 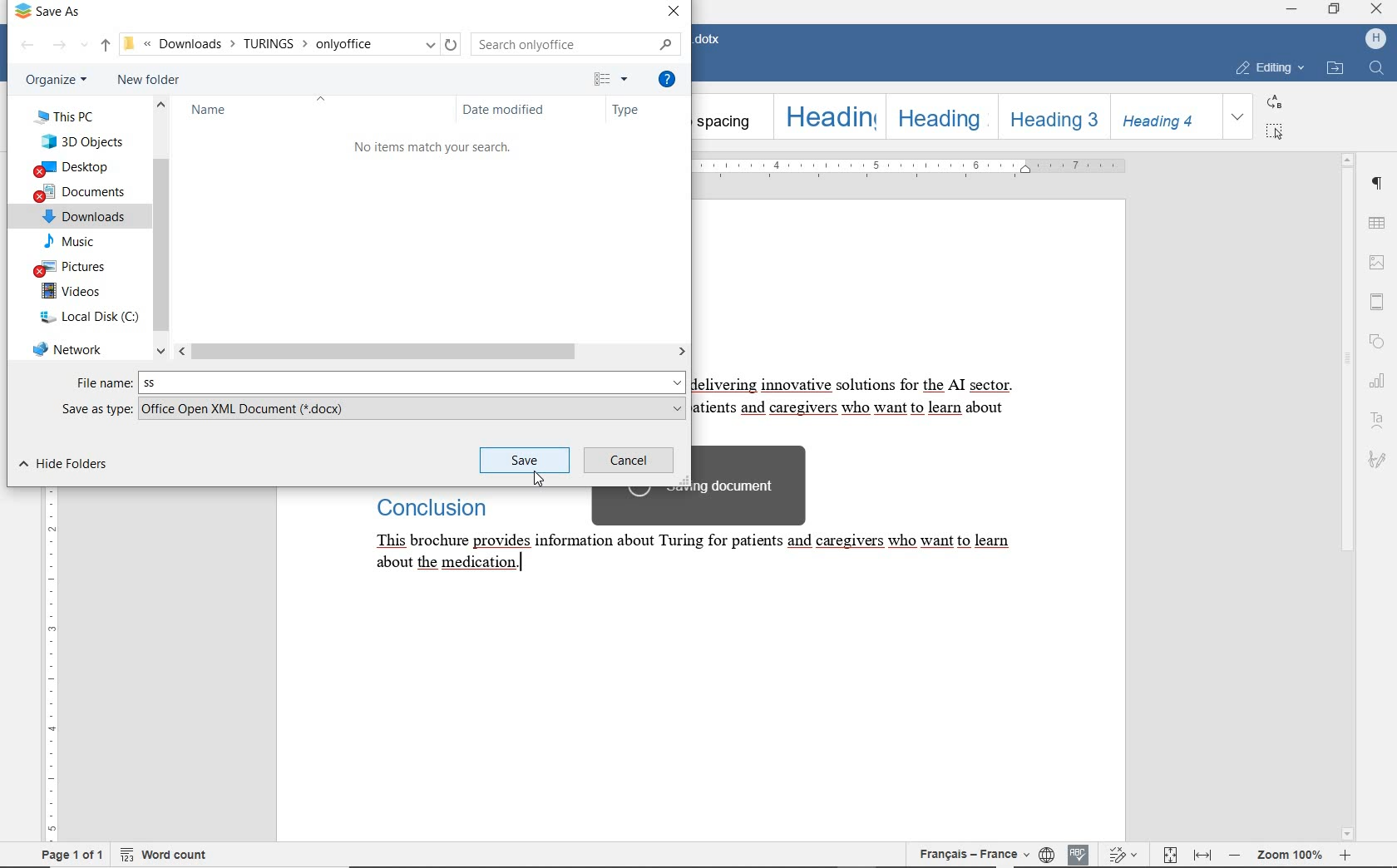 I want to click on EDITING, so click(x=1268, y=66).